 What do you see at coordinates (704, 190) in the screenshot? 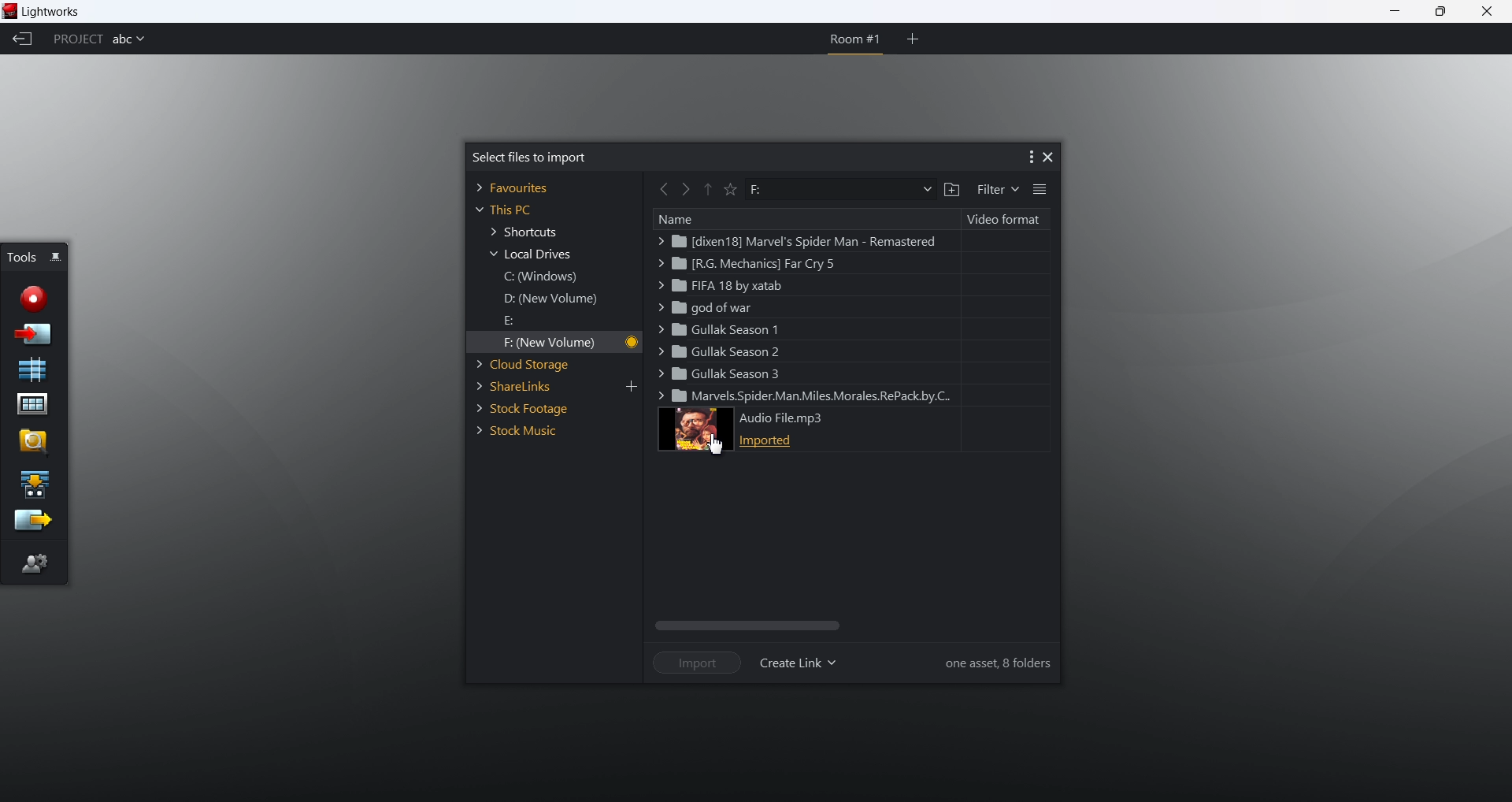
I see `previous` at bounding box center [704, 190].